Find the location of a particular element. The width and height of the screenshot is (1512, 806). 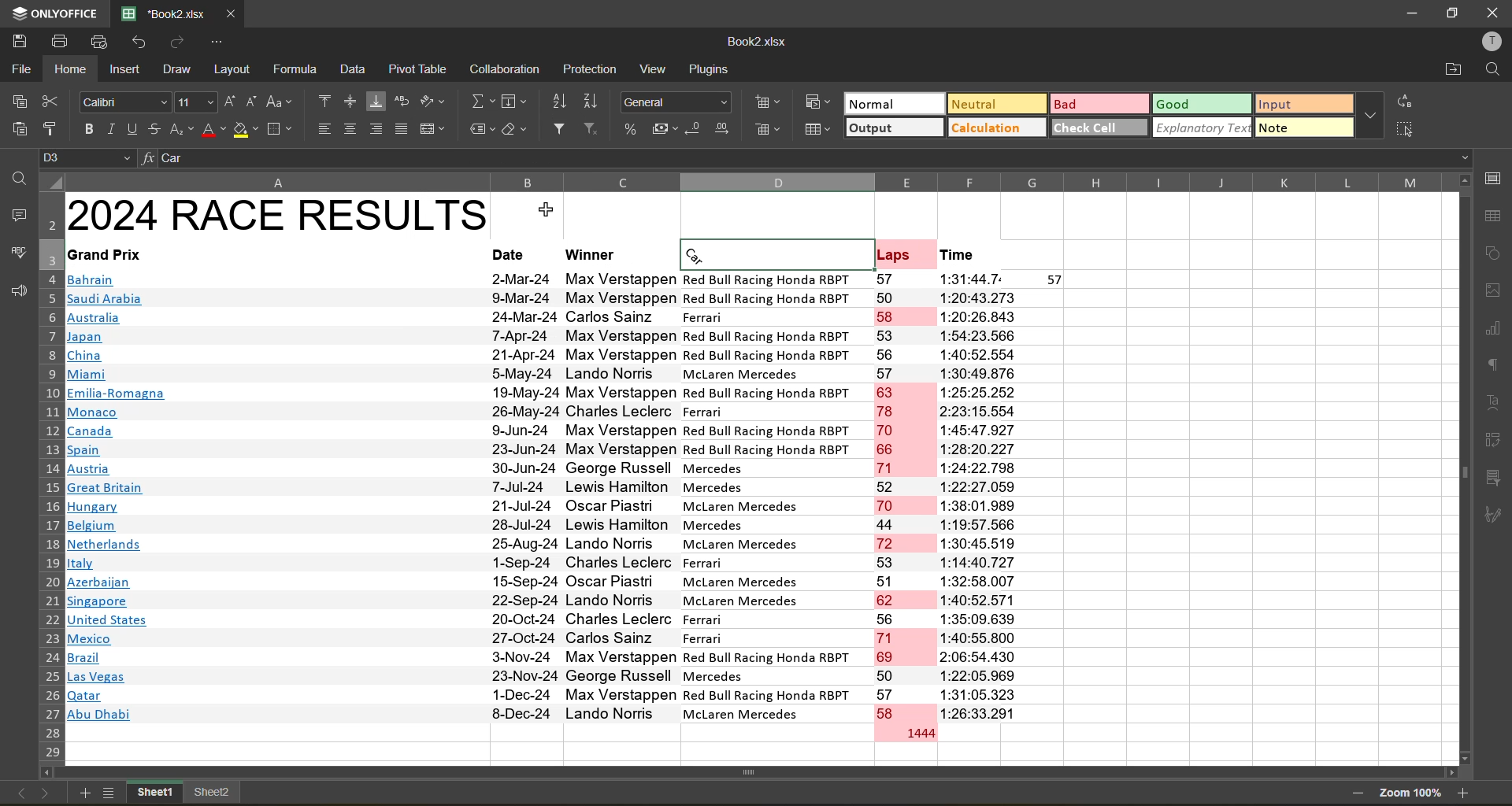

align center is located at coordinates (350, 128).